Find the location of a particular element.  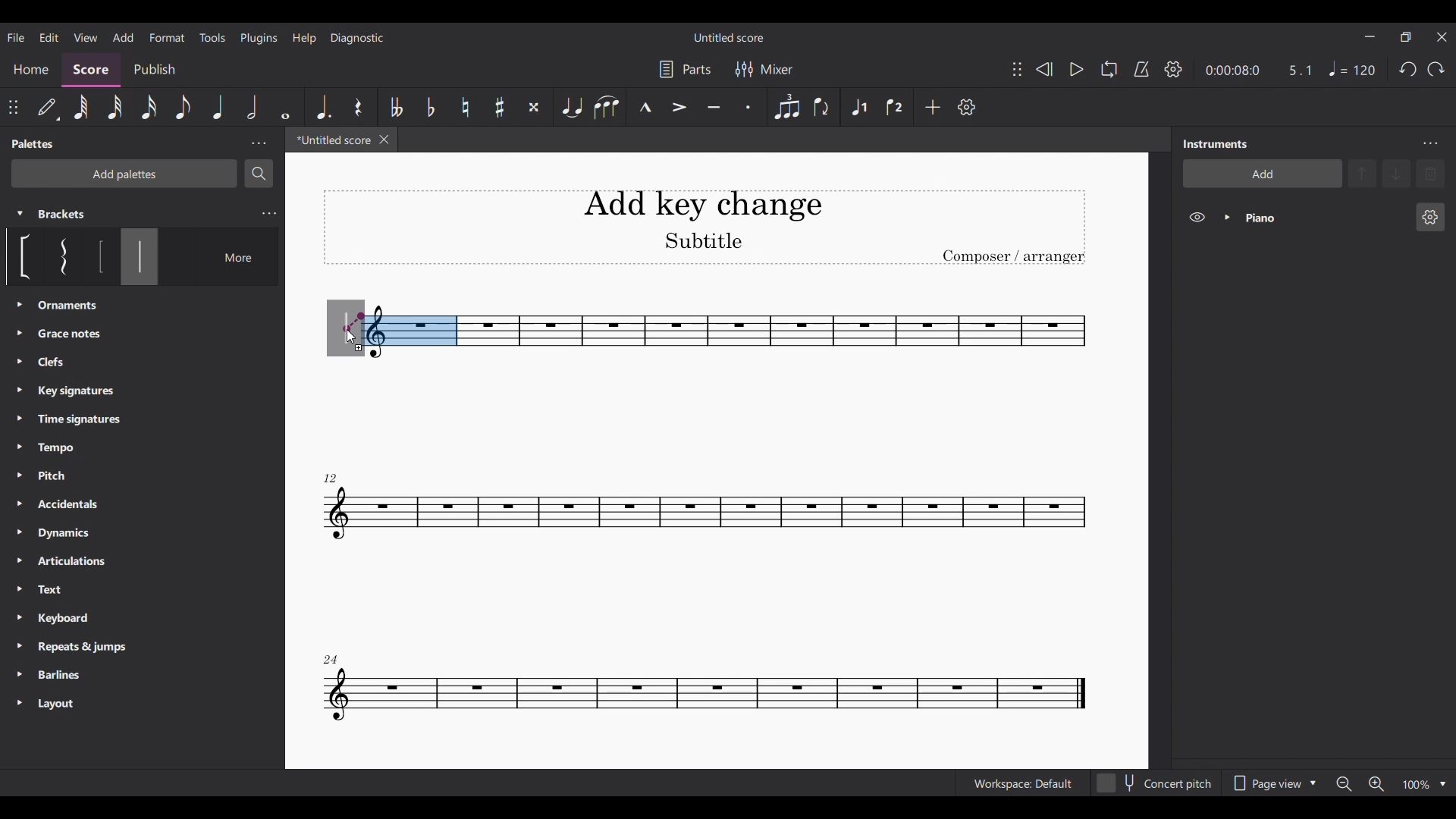

Page view options is located at coordinates (1274, 783).